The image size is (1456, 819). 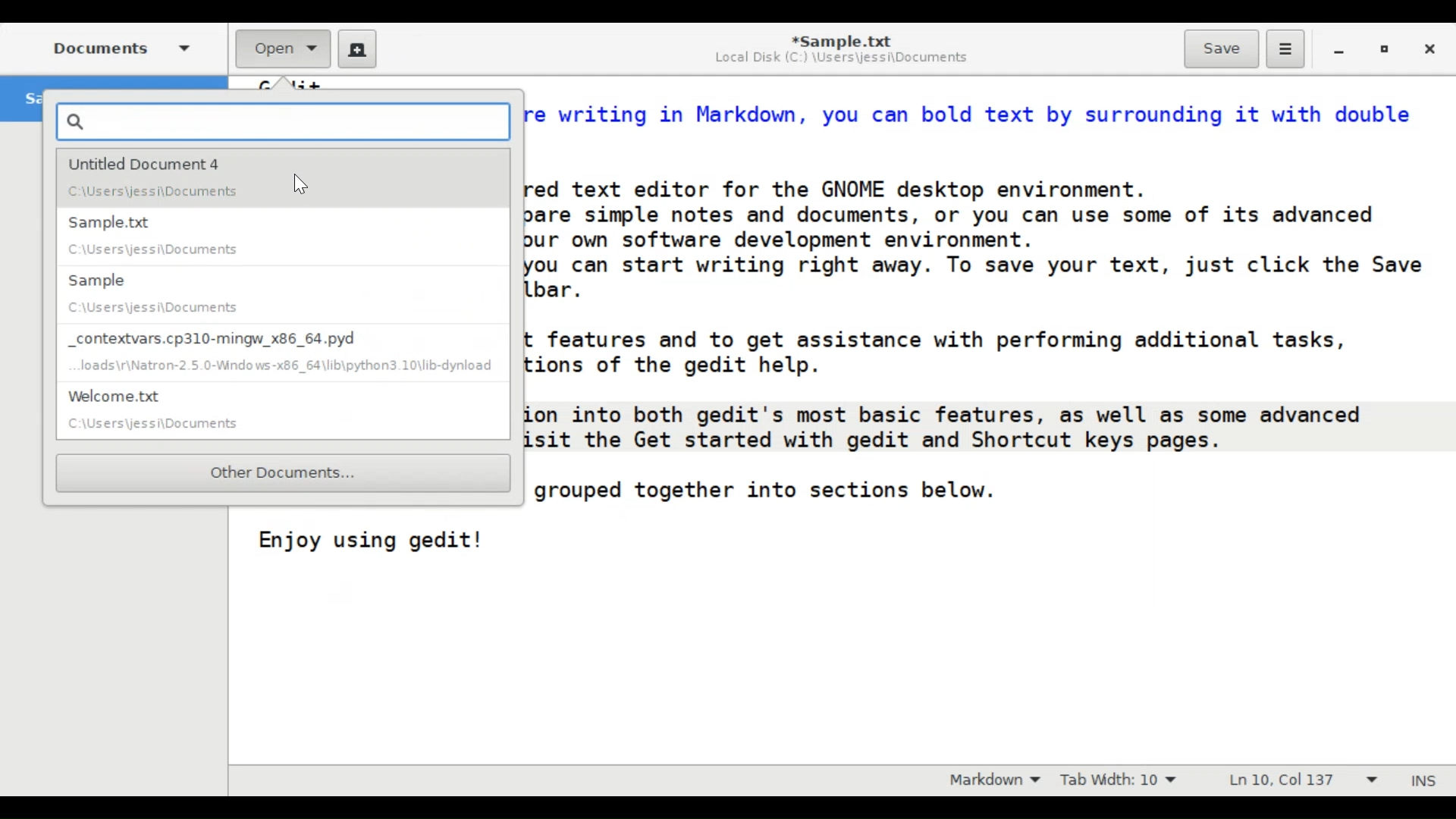 I want to click on Close, so click(x=1428, y=48).